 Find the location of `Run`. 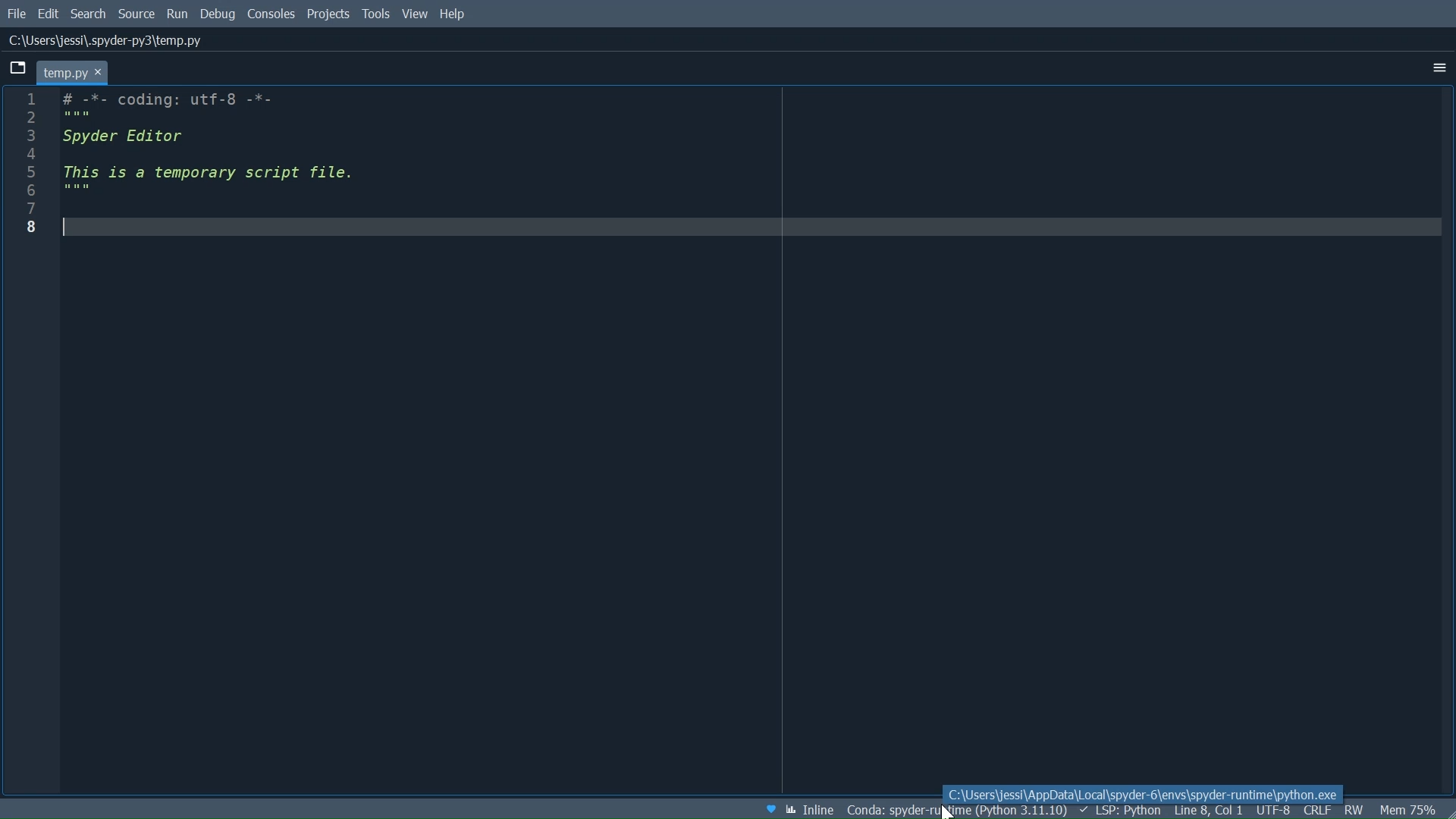

Run is located at coordinates (178, 14).